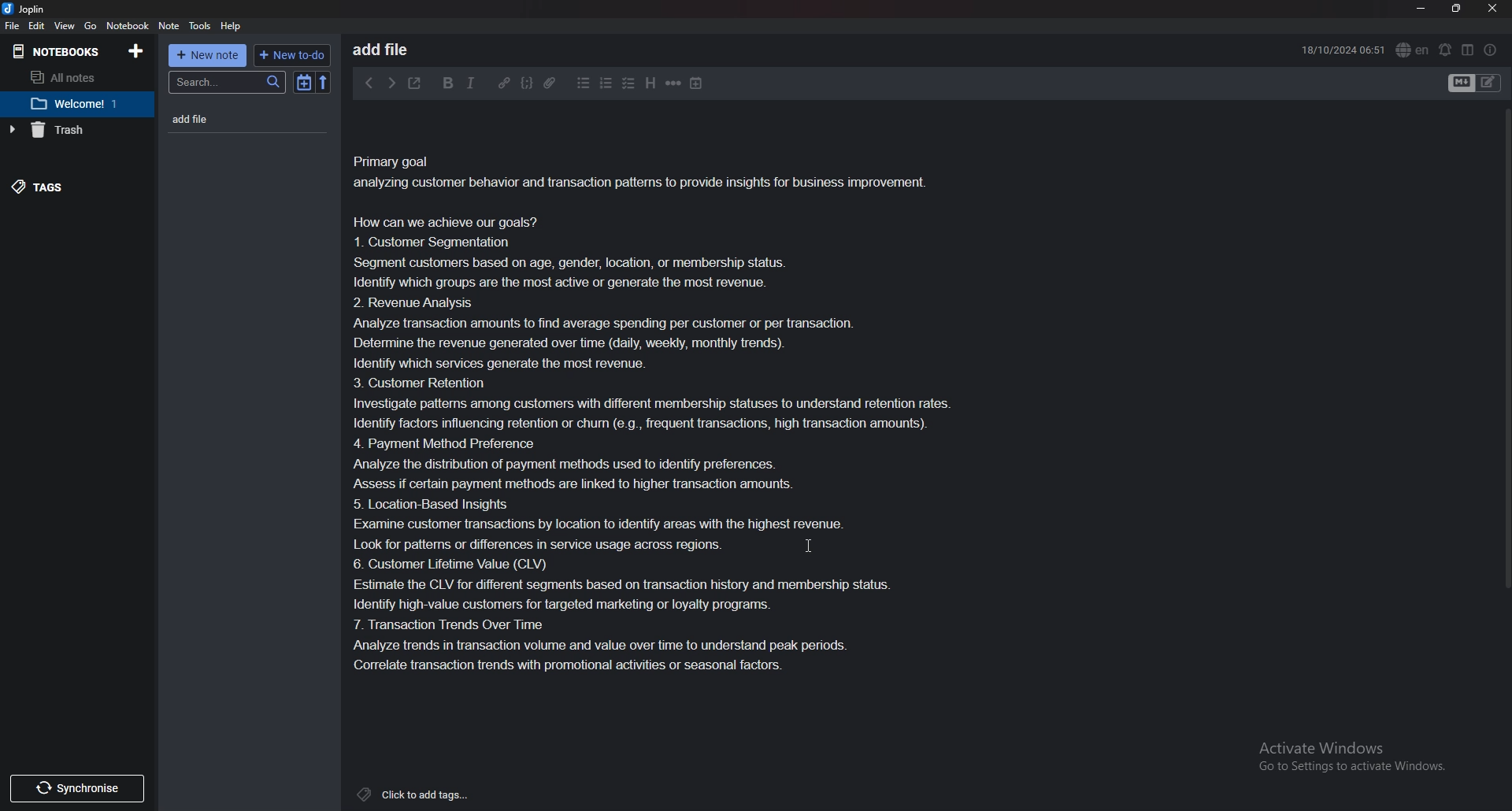  I want to click on Resize, so click(1455, 9).